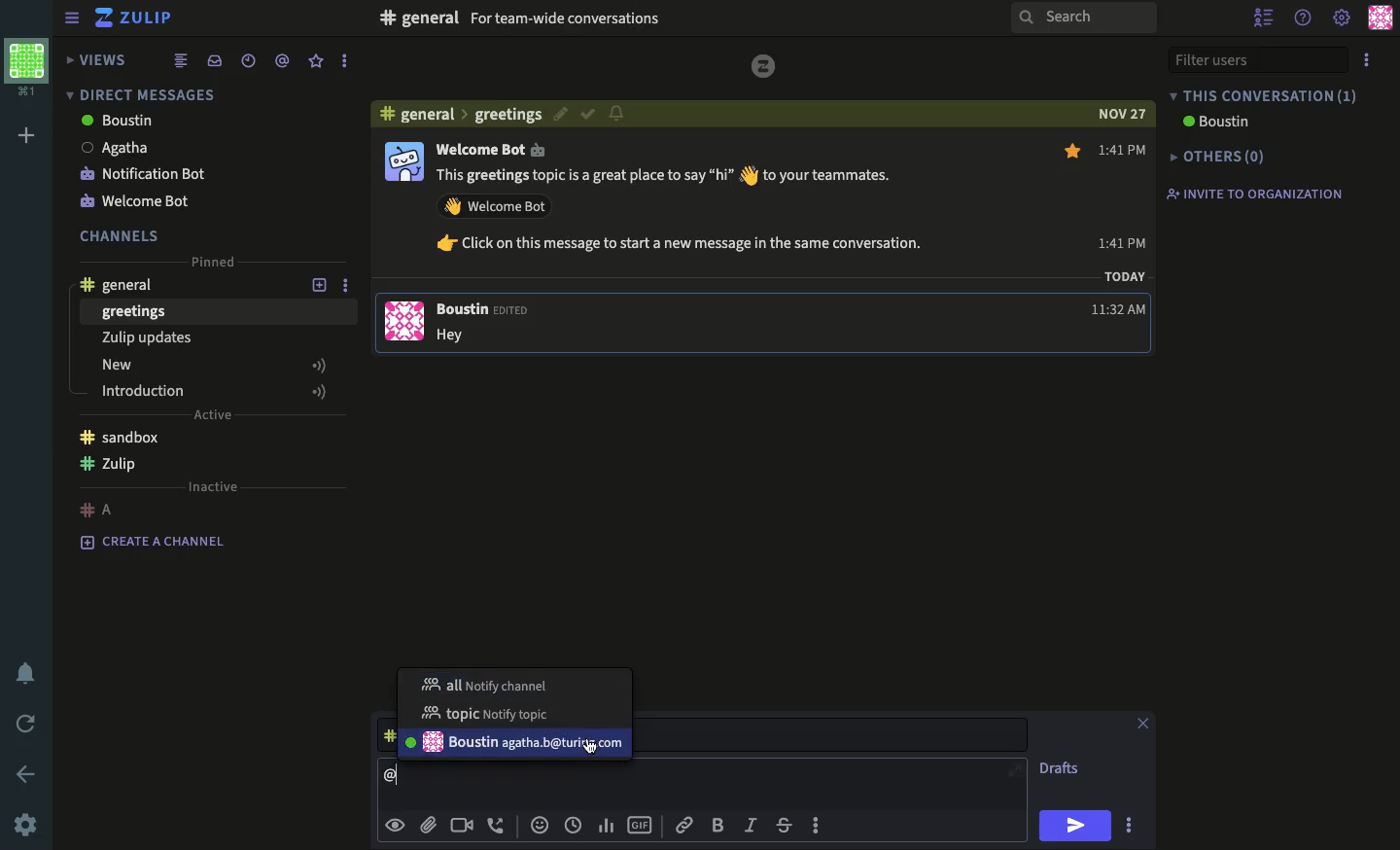  What do you see at coordinates (138, 93) in the screenshot?
I see `direct message` at bounding box center [138, 93].